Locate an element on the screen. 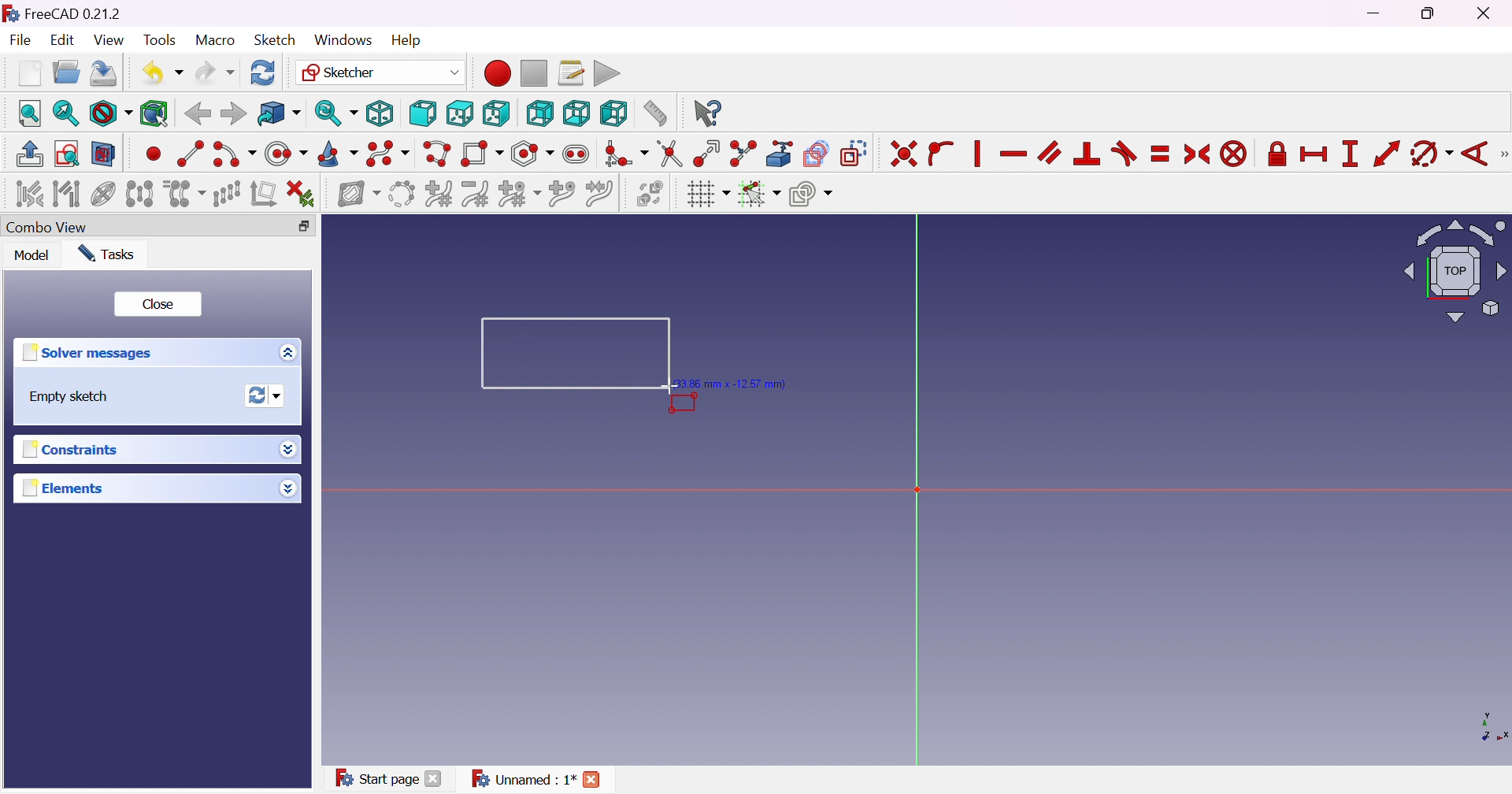 The image size is (1512, 794). View section is located at coordinates (105, 154).